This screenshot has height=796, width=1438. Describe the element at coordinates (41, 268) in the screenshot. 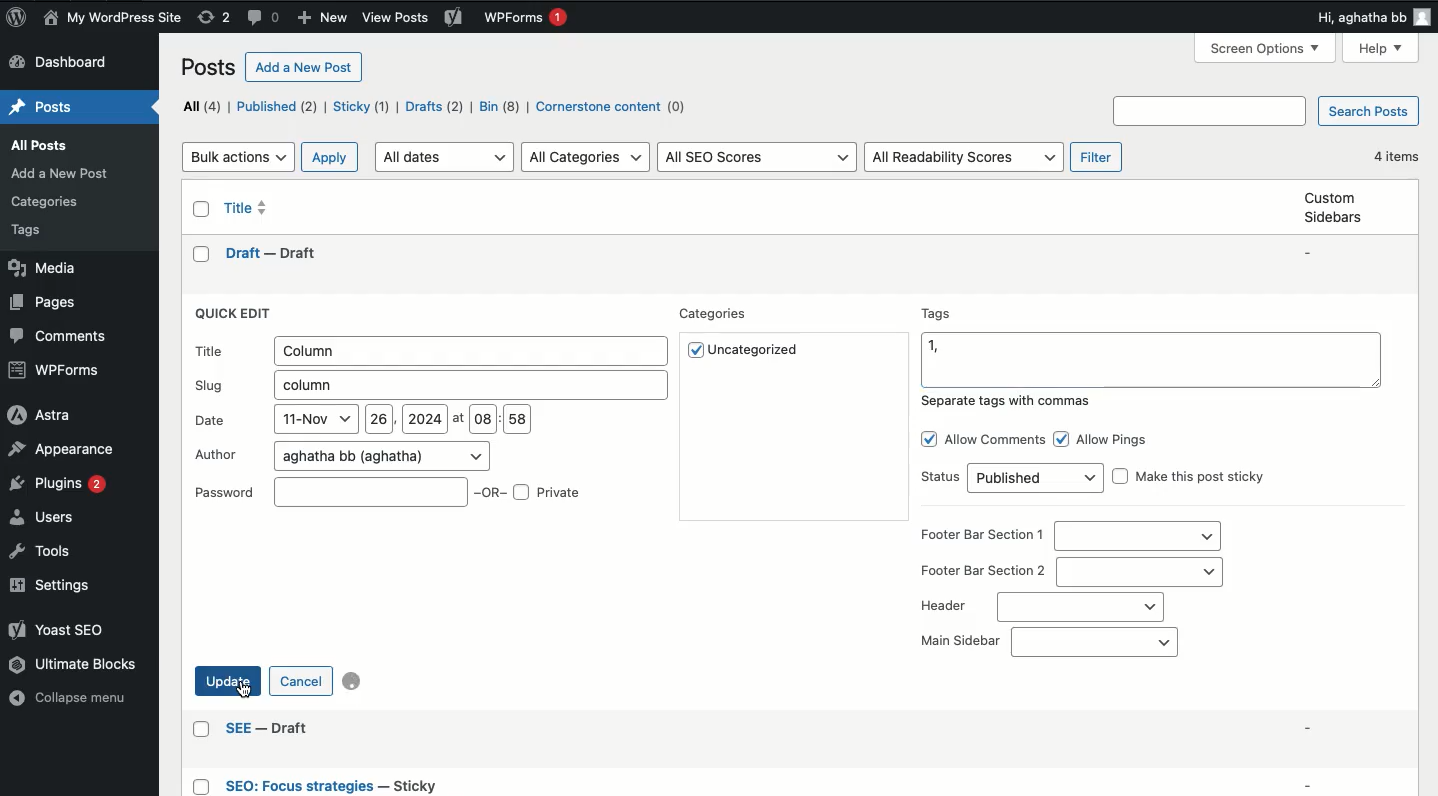

I see `Media` at that location.